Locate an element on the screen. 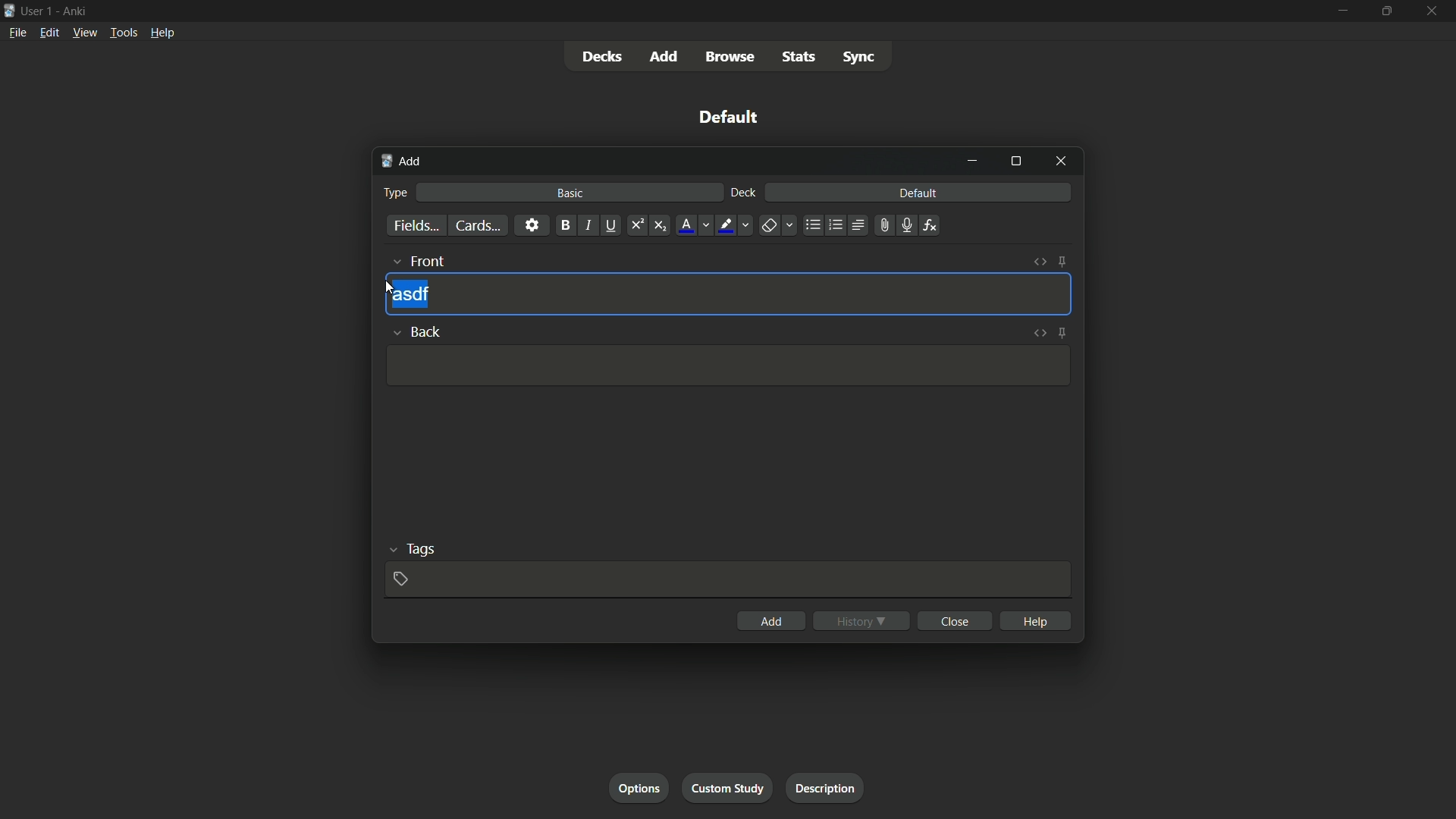 The image size is (1456, 819). view is located at coordinates (85, 33).